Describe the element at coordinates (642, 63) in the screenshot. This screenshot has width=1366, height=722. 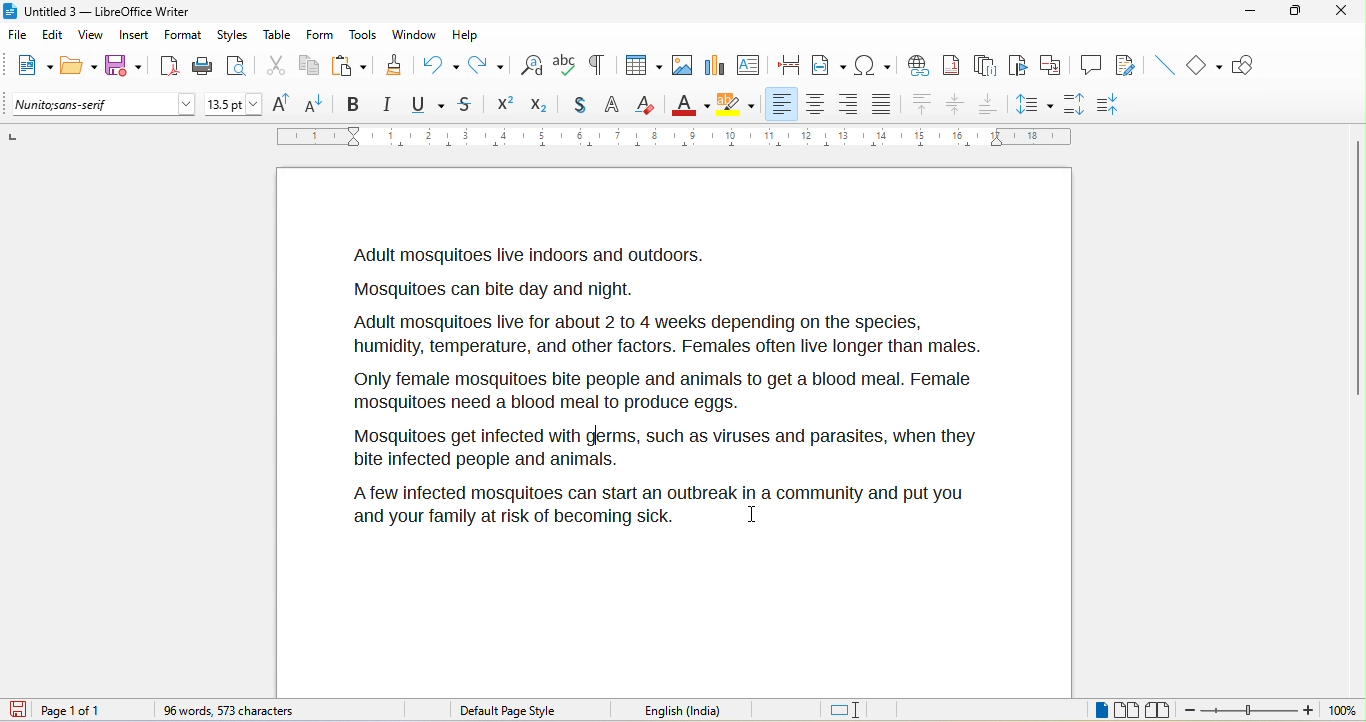
I see `table` at that location.